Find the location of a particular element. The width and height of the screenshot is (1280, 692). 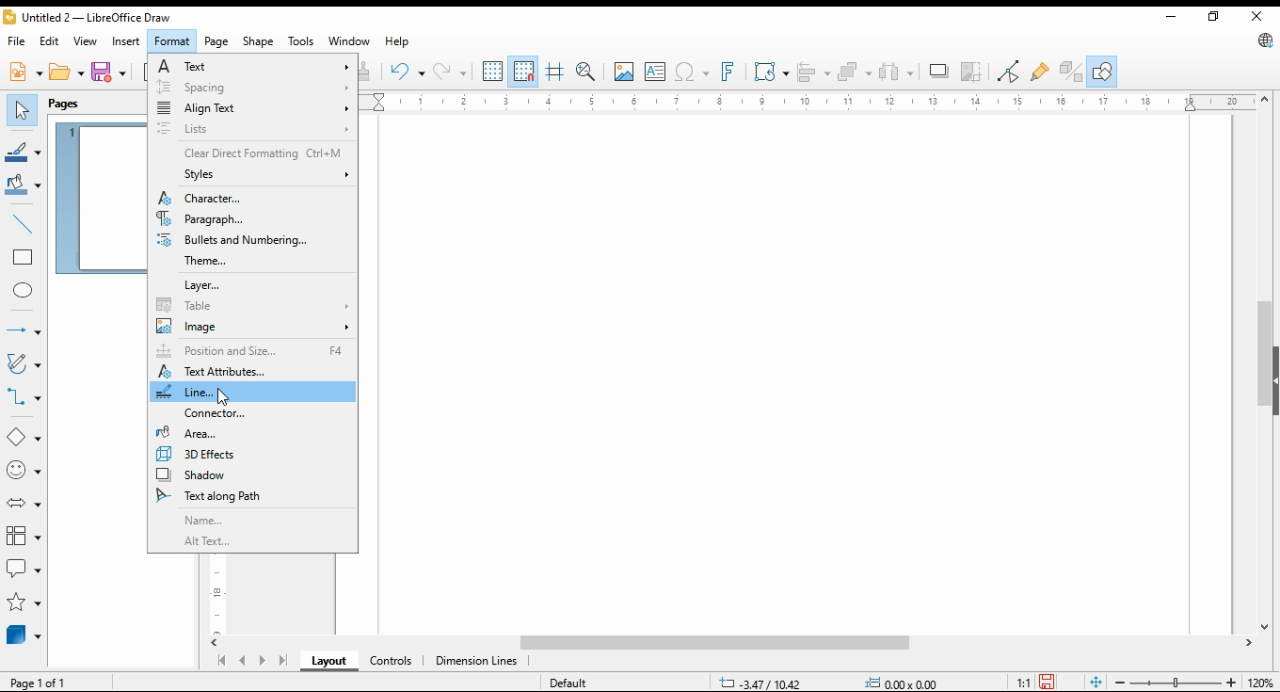

close window is located at coordinates (1258, 16).